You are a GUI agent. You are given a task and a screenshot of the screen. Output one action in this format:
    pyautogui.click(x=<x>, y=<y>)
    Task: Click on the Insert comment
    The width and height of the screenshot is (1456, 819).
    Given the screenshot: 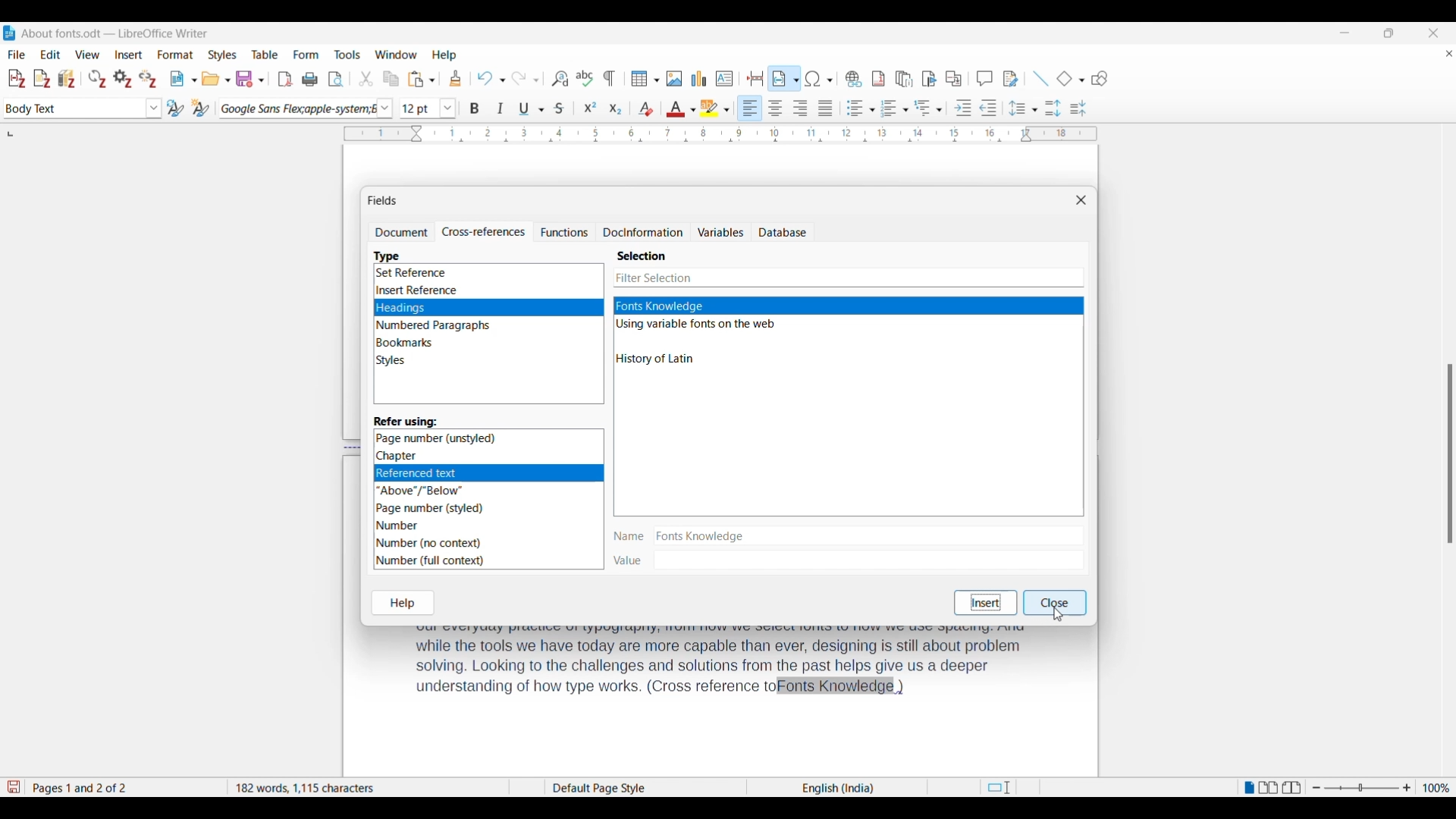 What is the action you would take?
    pyautogui.click(x=984, y=78)
    